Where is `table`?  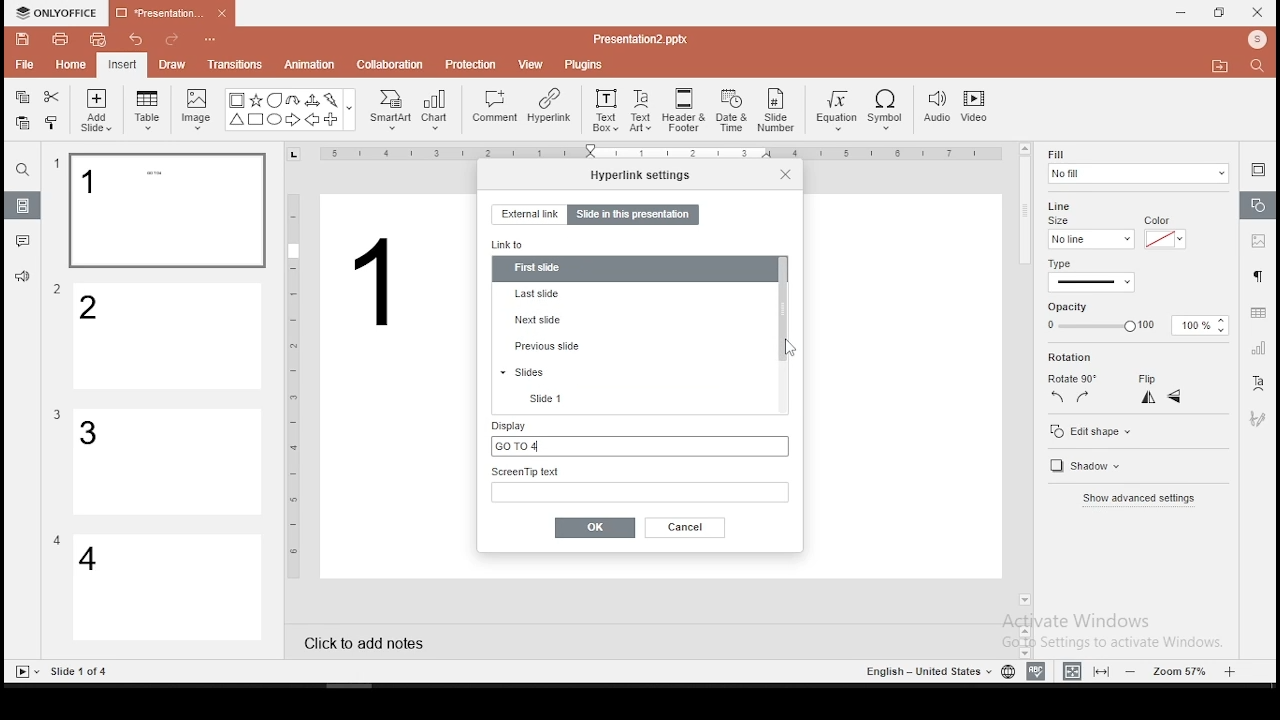
table is located at coordinates (147, 107).